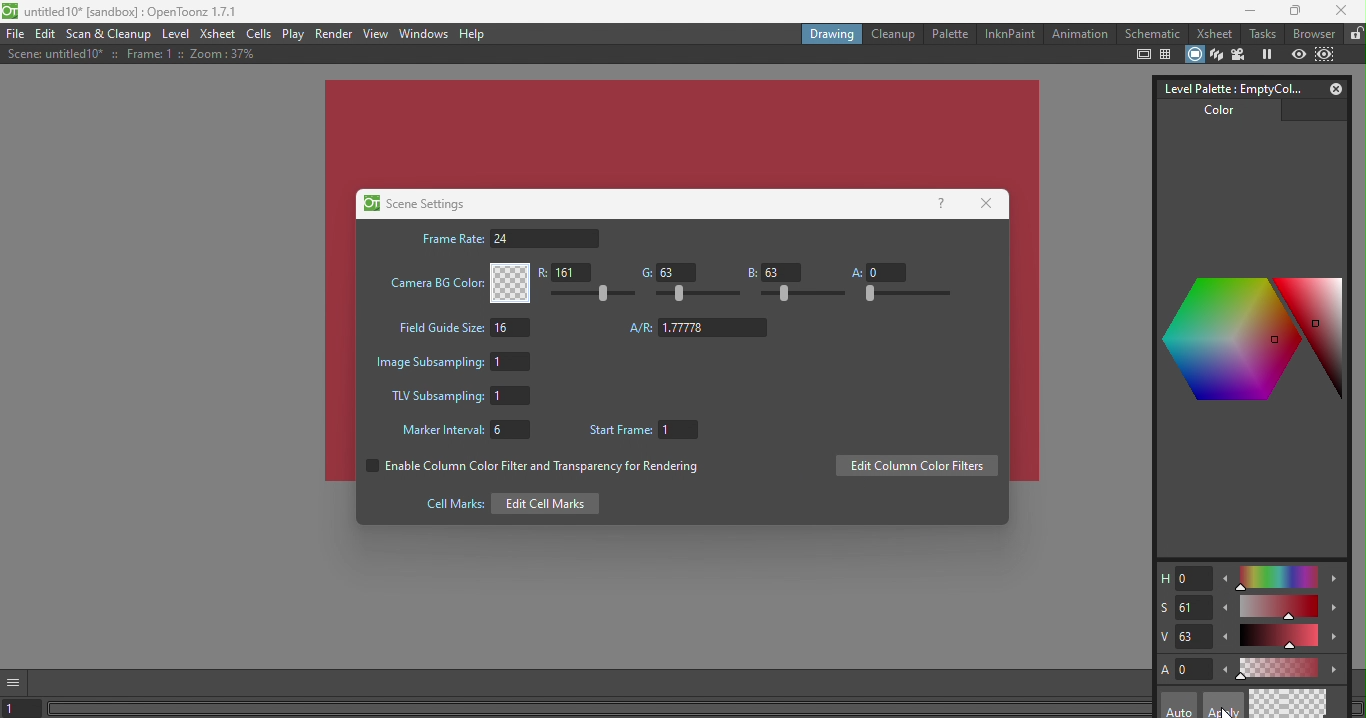  Describe the element at coordinates (1215, 53) in the screenshot. I see `3D view` at that location.